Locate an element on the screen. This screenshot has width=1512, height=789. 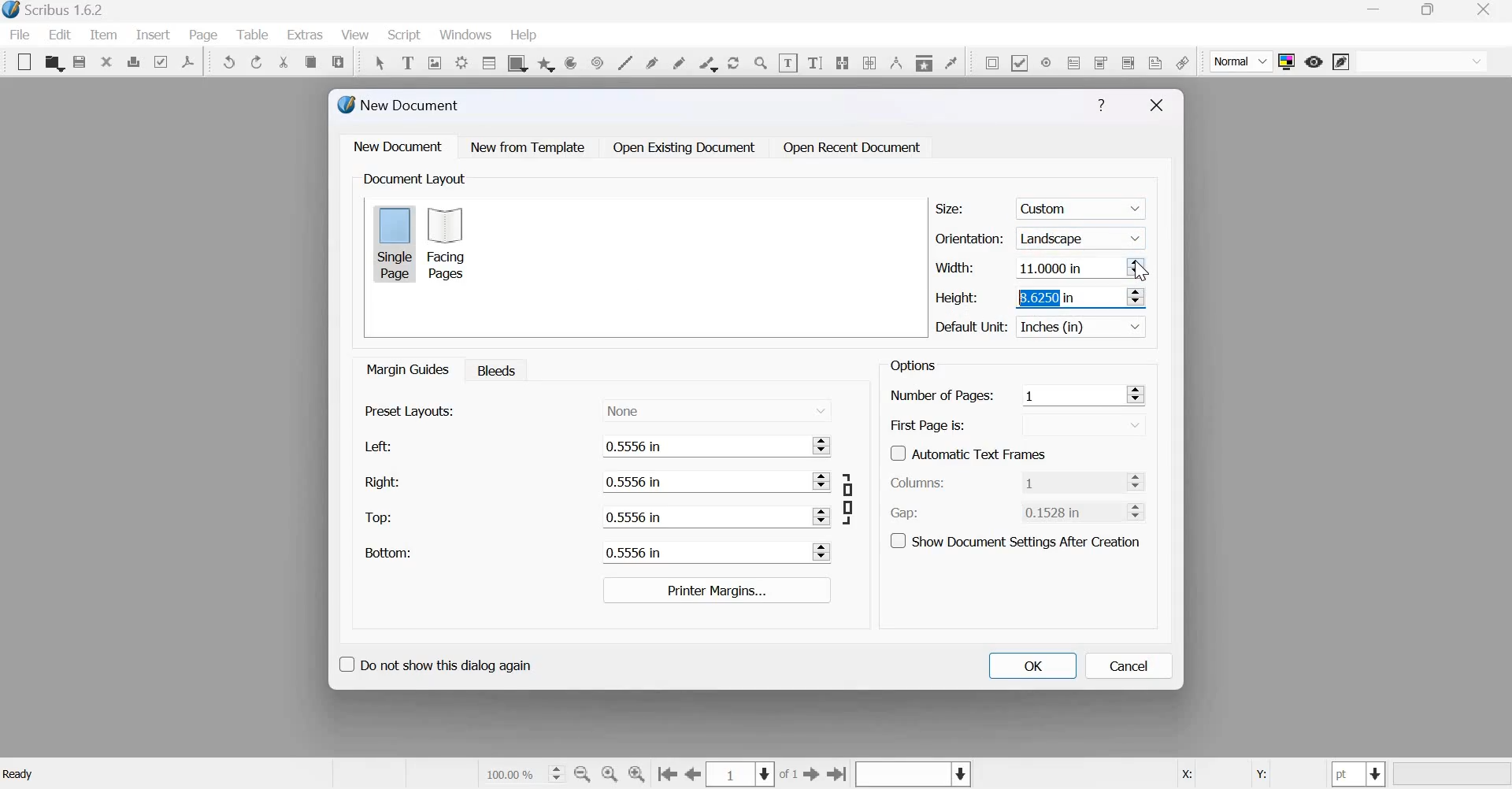
Select the current layer is located at coordinates (911, 775).